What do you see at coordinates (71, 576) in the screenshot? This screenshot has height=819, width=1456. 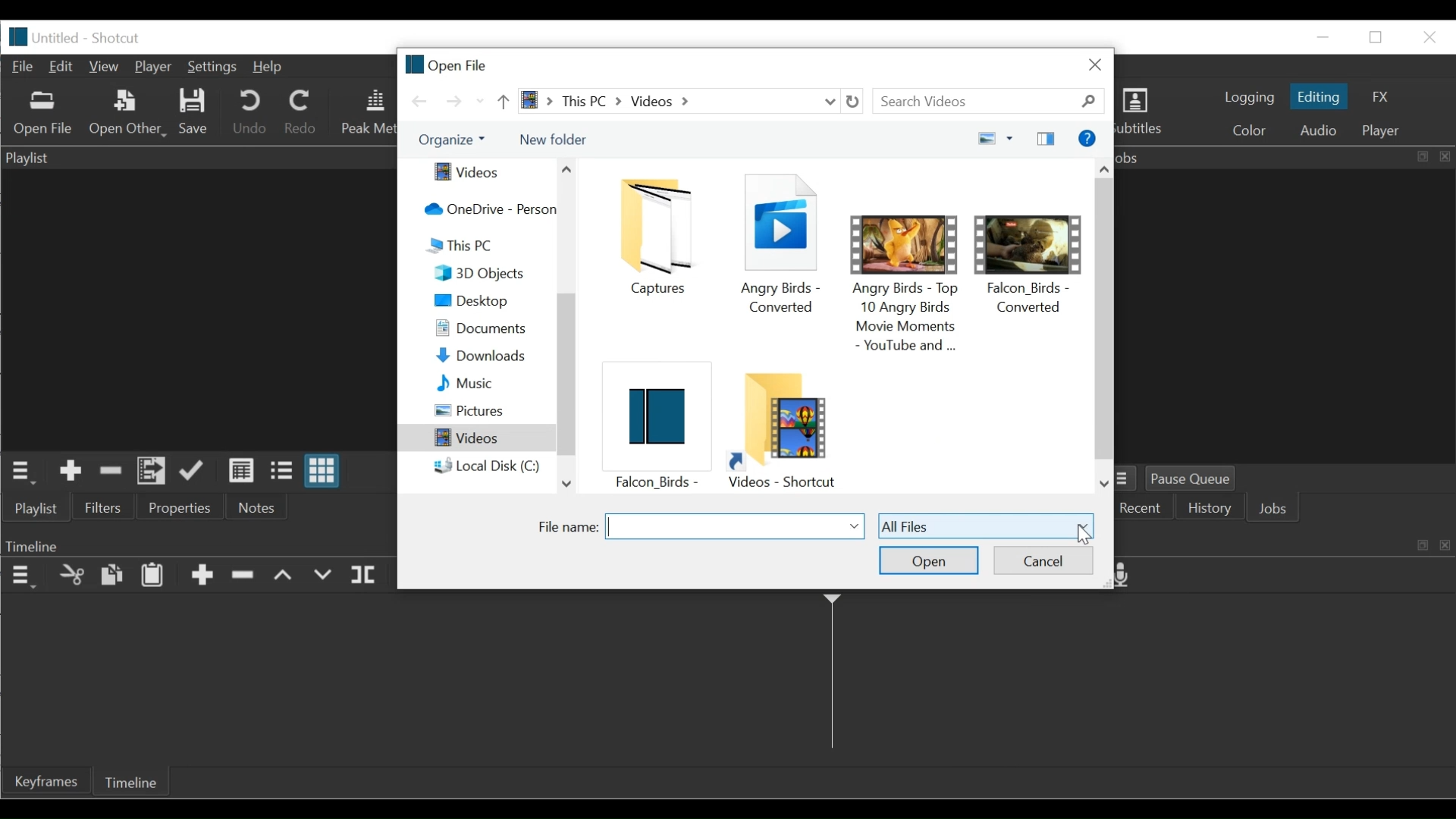 I see `Cut` at bounding box center [71, 576].